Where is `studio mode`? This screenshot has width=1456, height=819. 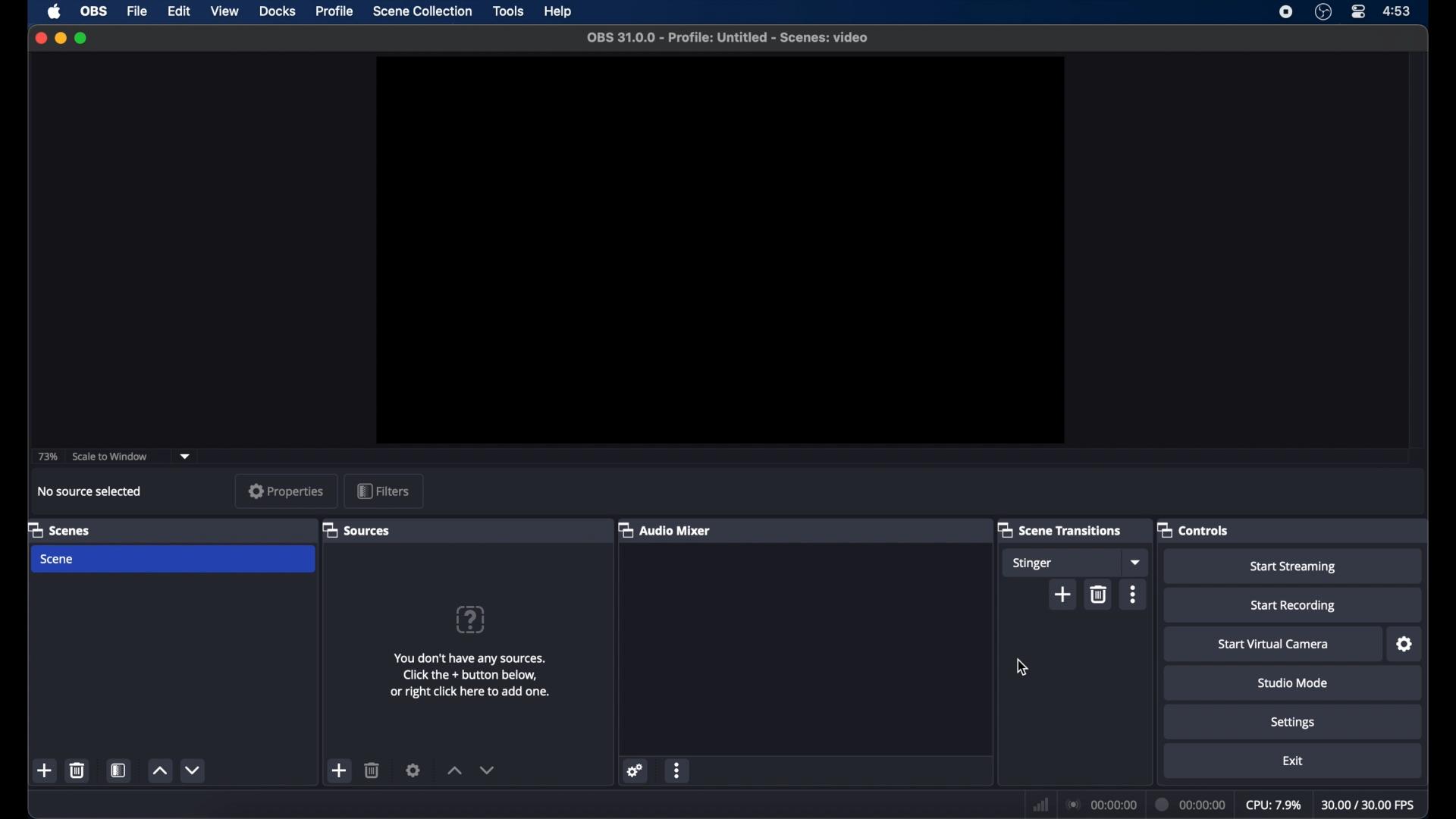
studio mode is located at coordinates (1292, 682).